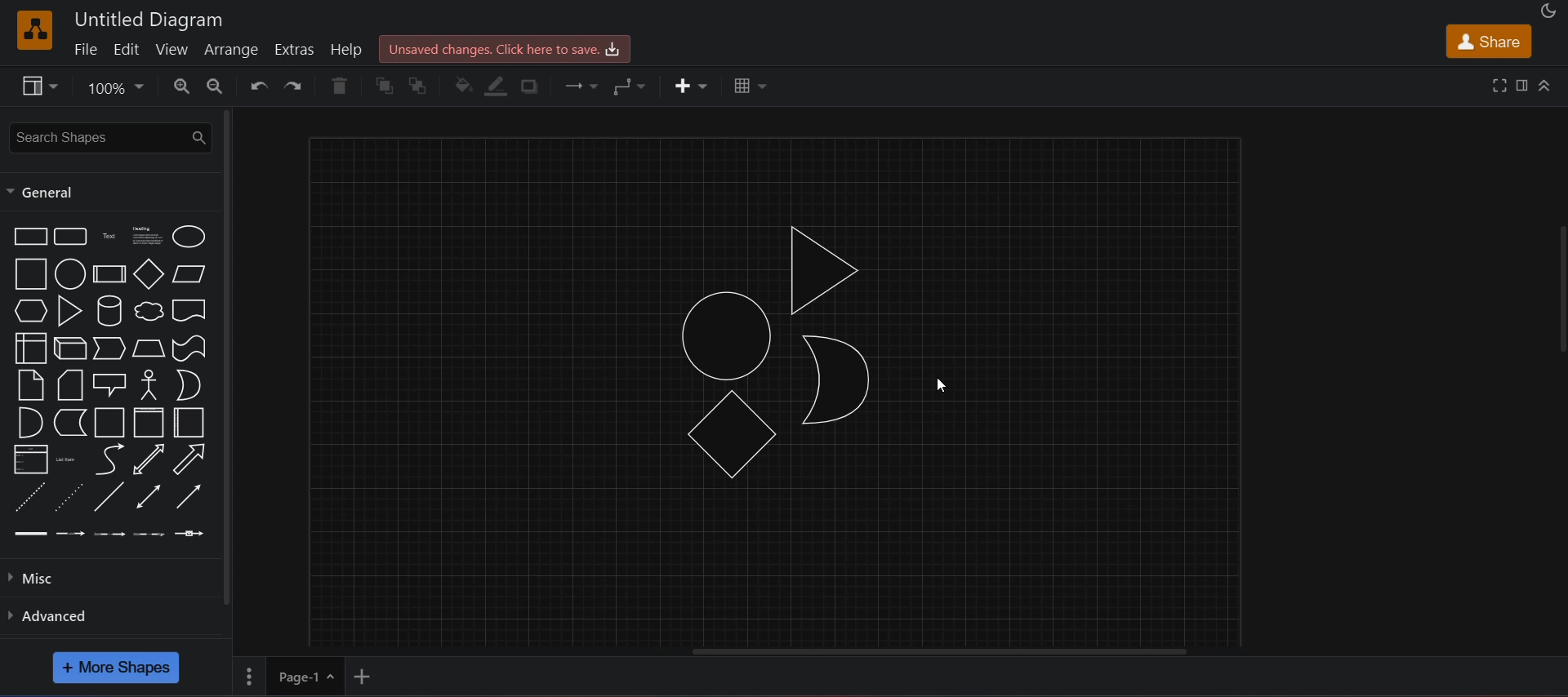 This screenshot has width=1568, height=697. What do you see at coordinates (189, 422) in the screenshot?
I see `horizontal container` at bounding box center [189, 422].